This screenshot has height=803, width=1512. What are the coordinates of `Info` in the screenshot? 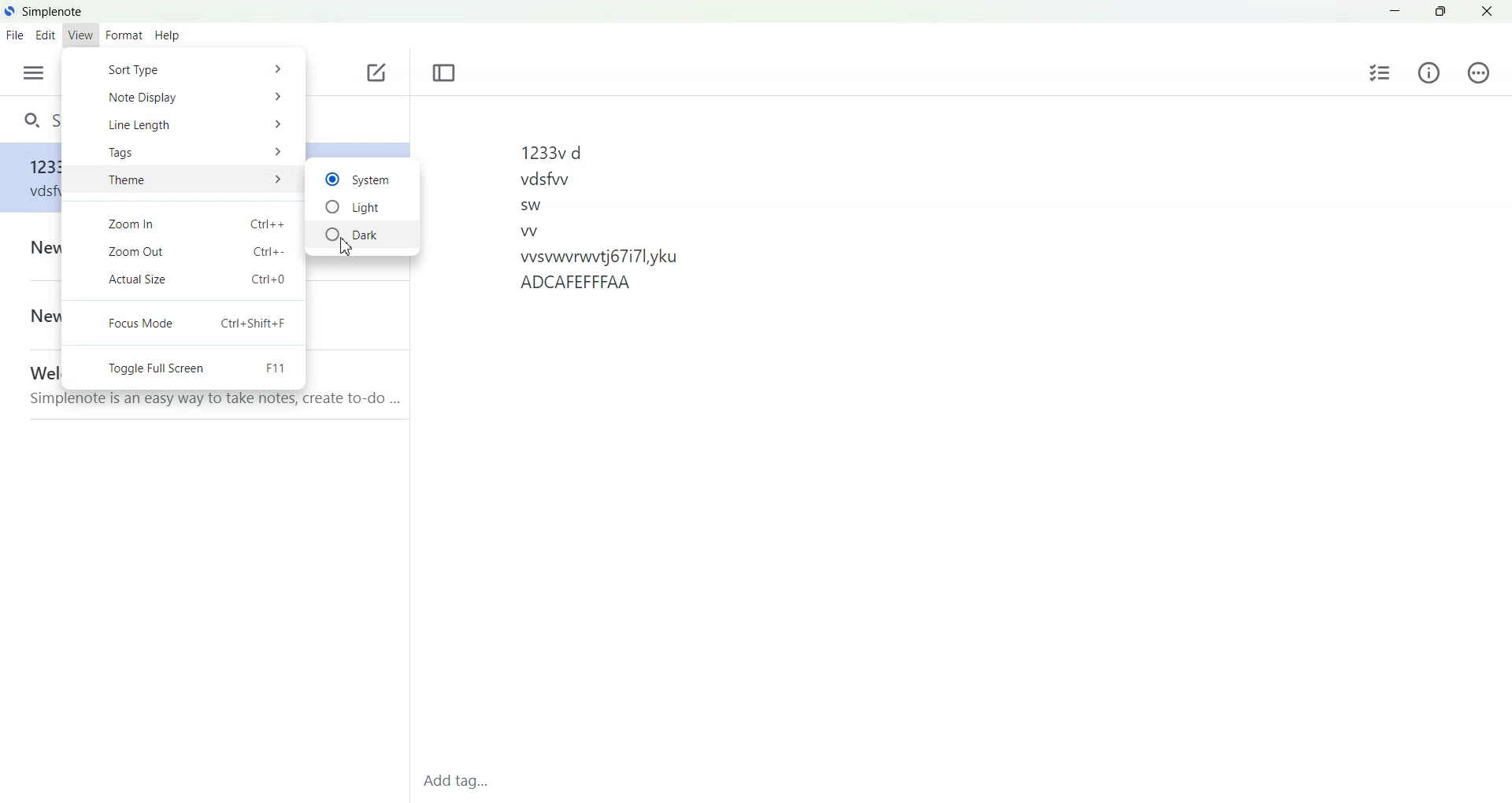 It's located at (1429, 72).